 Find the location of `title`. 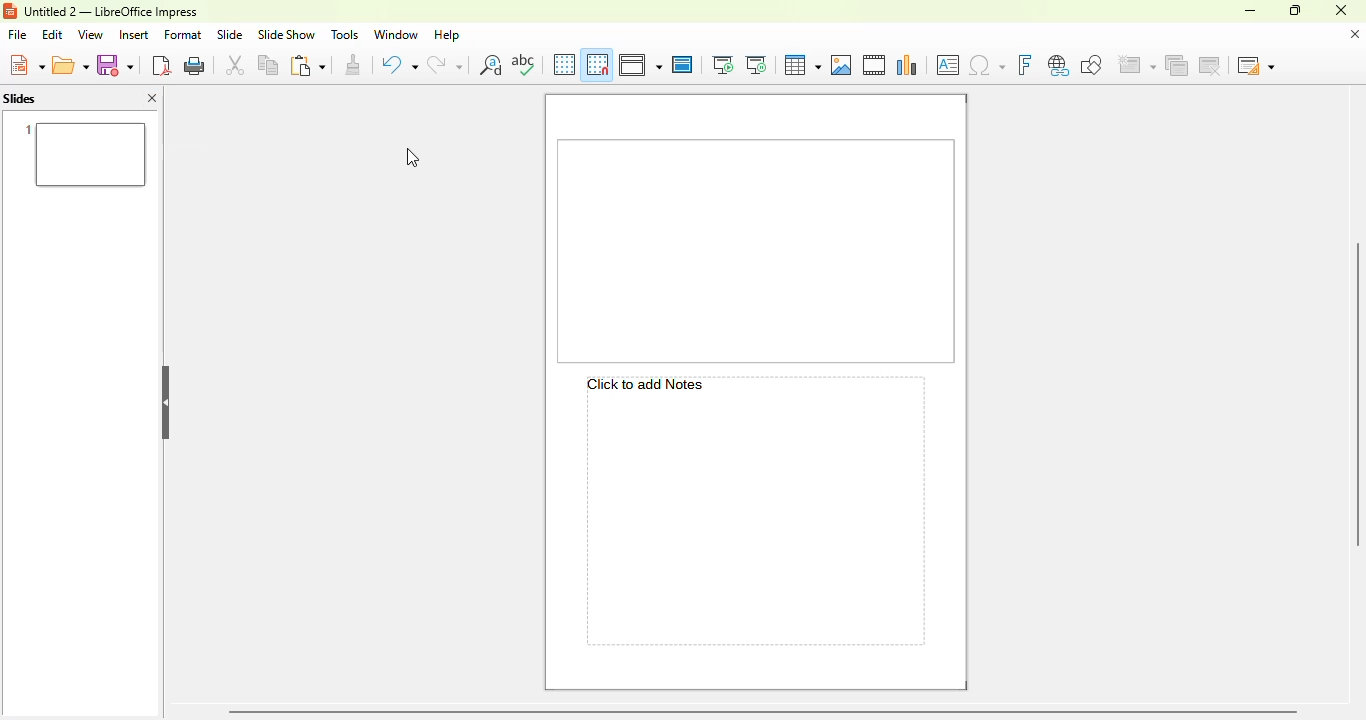

title is located at coordinates (111, 12).